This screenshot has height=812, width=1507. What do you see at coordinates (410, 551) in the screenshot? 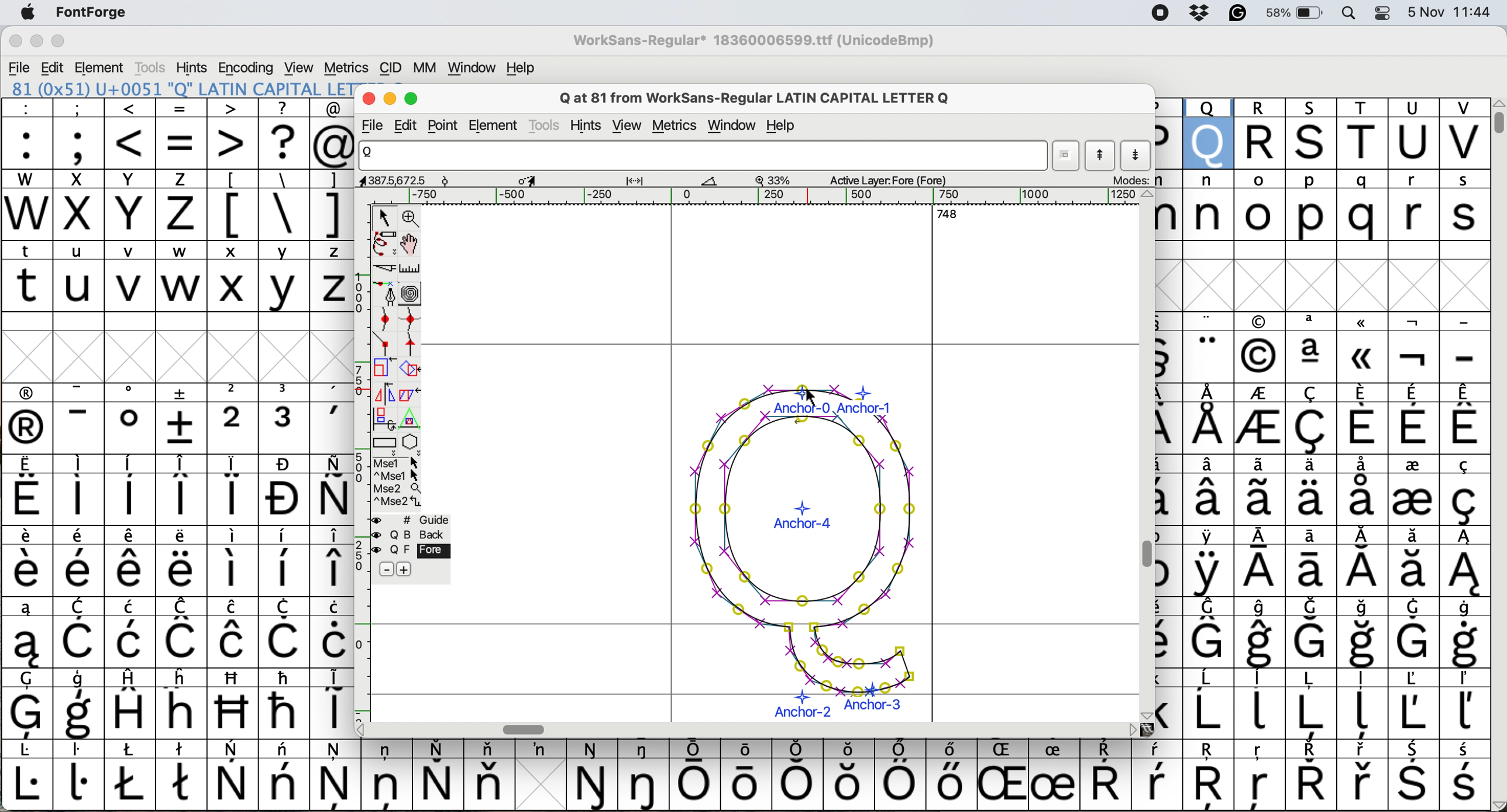
I see `fore` at bounding box center [410, 551].